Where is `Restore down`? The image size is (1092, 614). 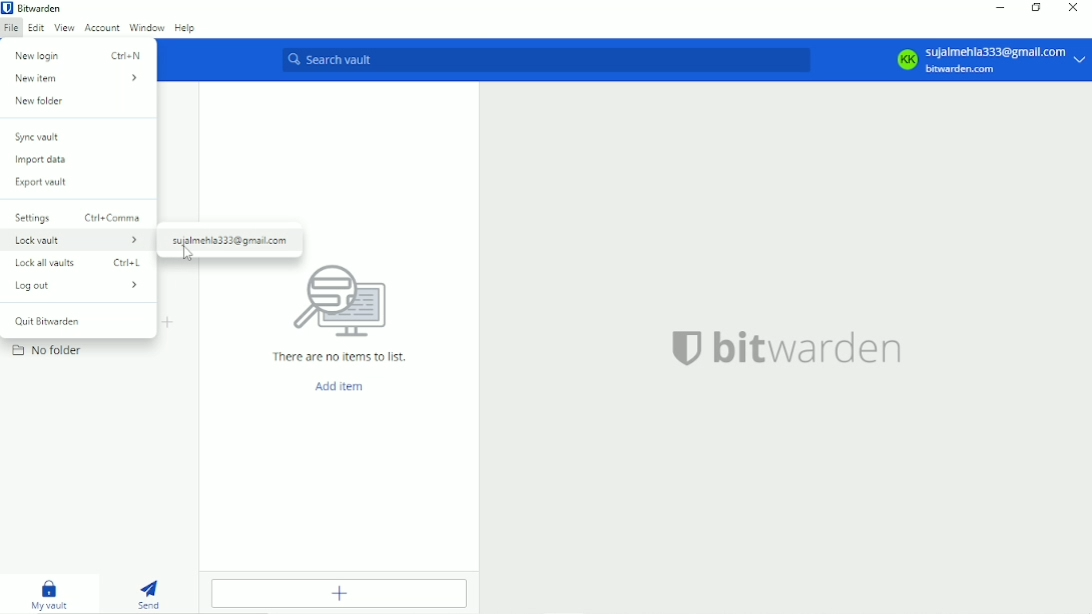 Restore down is located at coordinates (1036, 8).